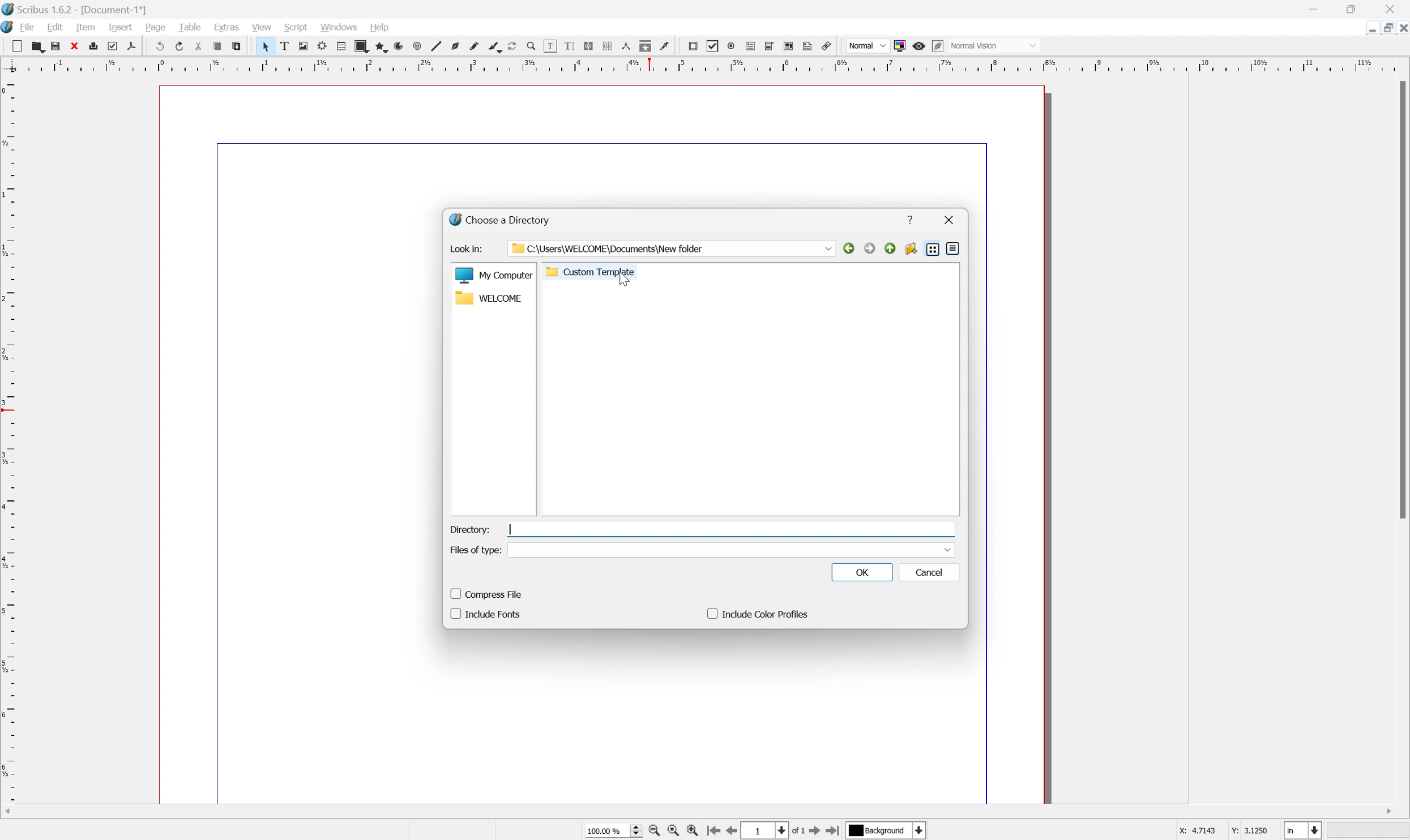 Image resolution: width=1410 pixels, height=840 pixels. Describe the element at coordinates (901, 45) in the screenshot. I see `Toggle color management system` at that location.